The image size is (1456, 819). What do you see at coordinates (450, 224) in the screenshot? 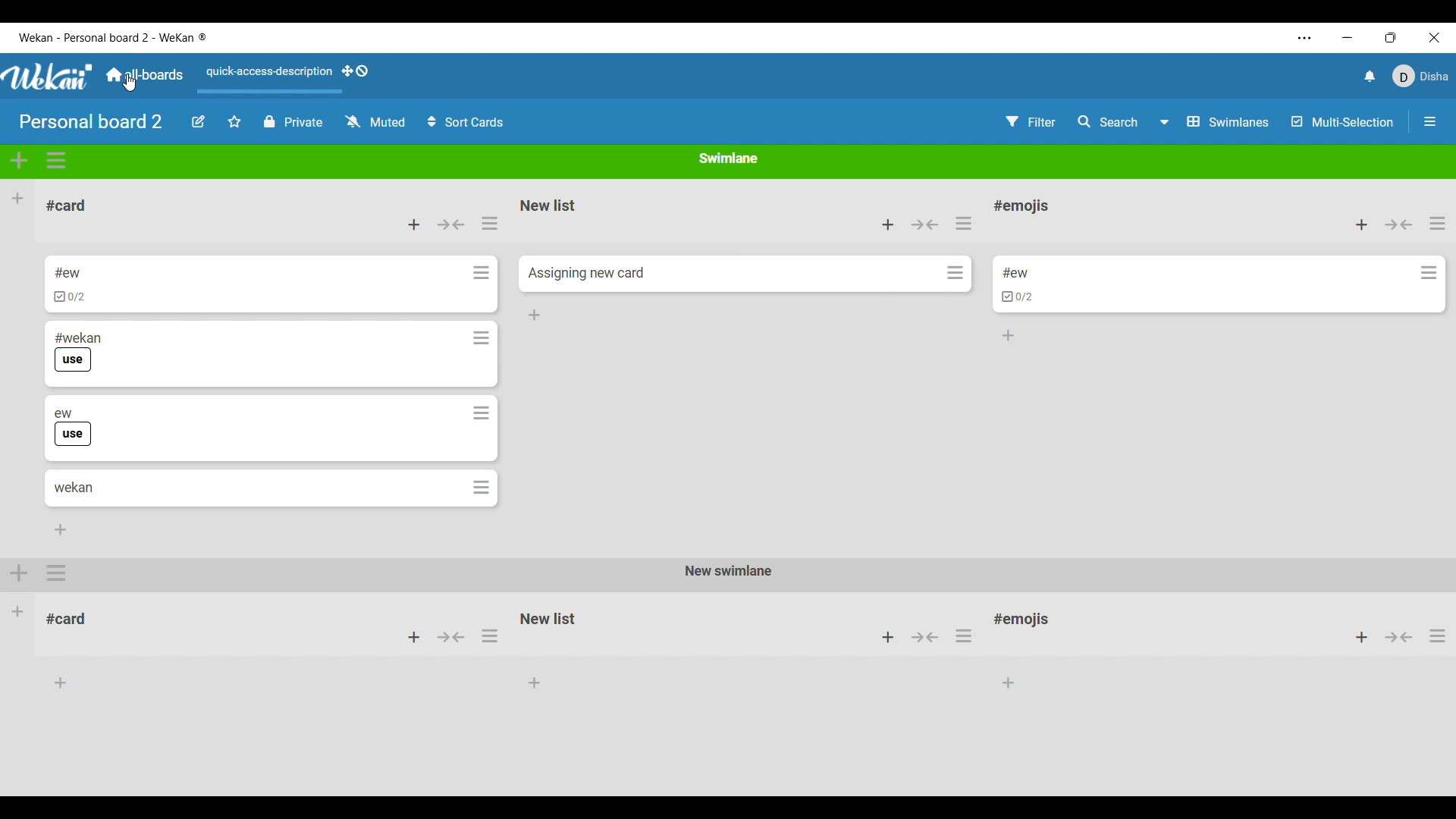
I see `Collapse` at bounding box center [450, 224].